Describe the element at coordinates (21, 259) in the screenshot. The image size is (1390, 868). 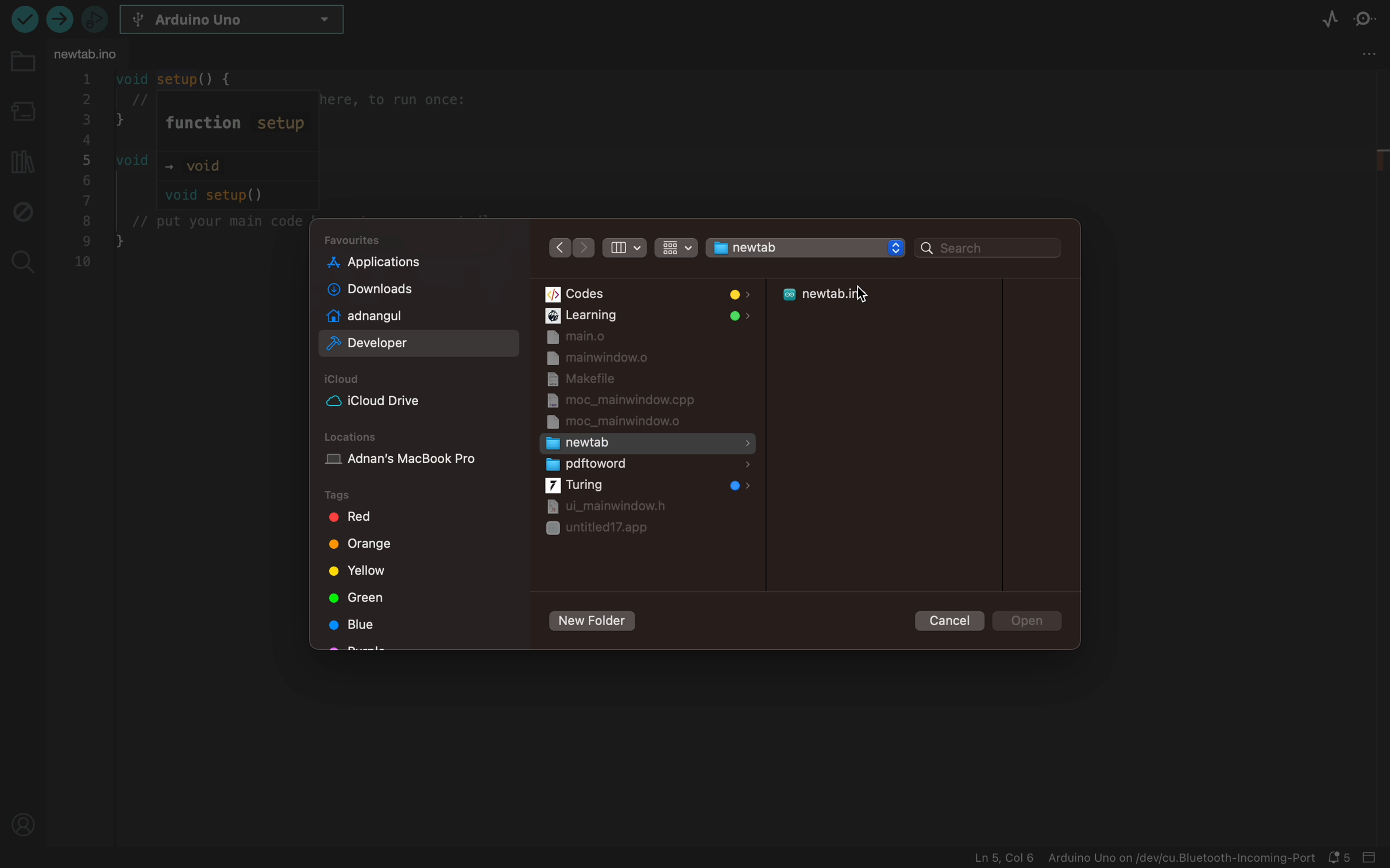
I see `search` at that location.